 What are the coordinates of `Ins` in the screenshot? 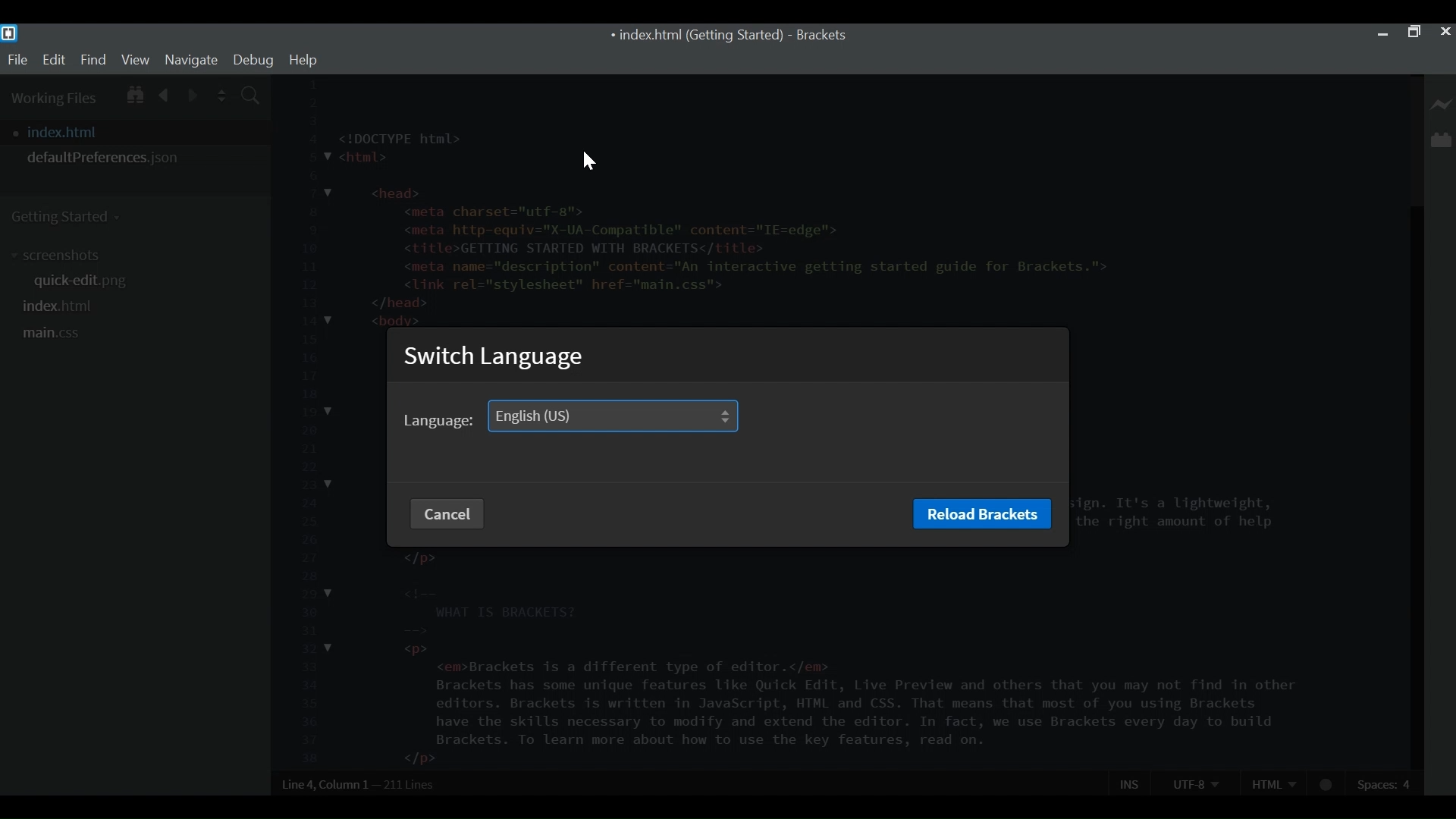 It's located at (1131, 783).